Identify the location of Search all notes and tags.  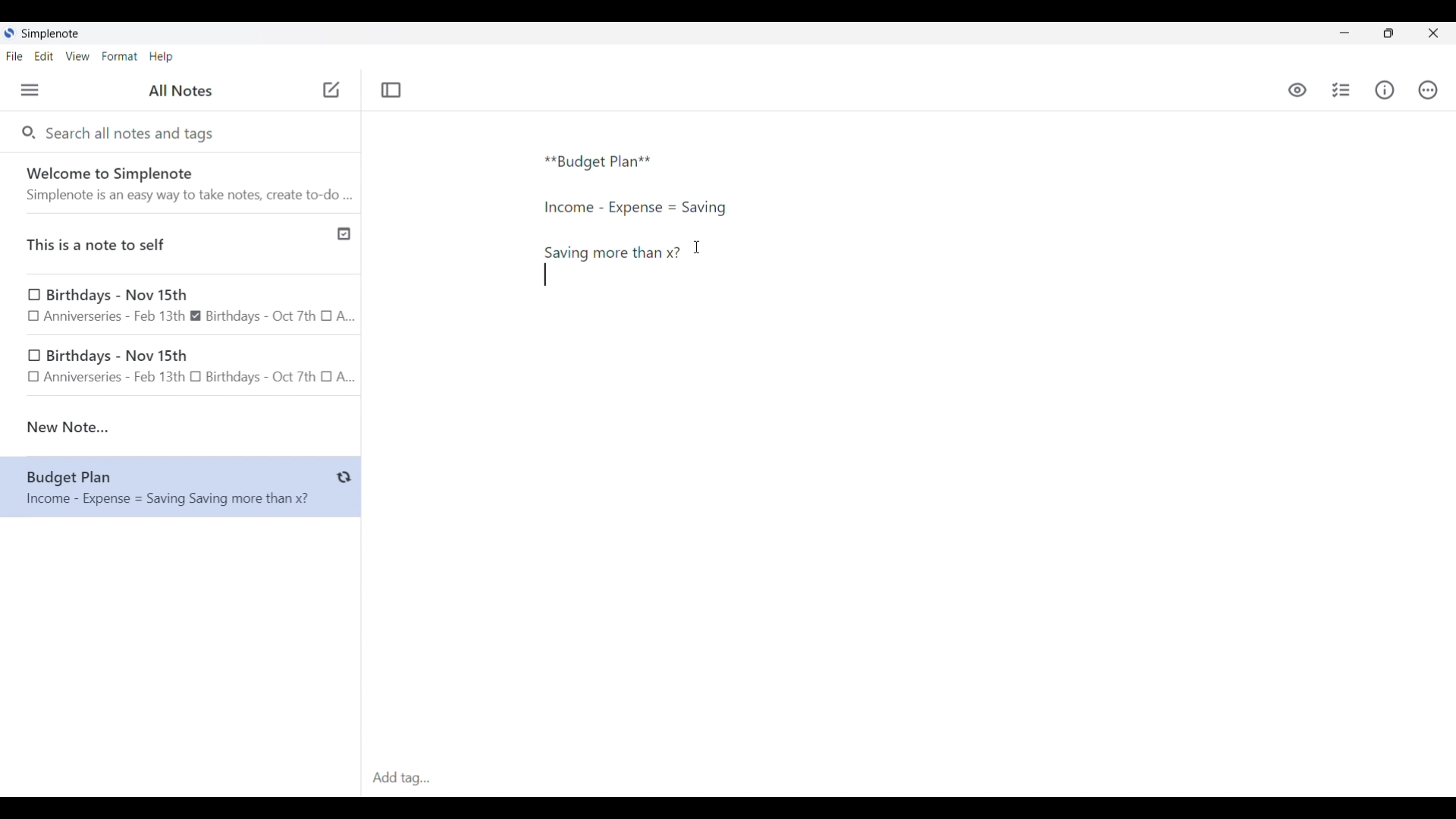
(133, 132).